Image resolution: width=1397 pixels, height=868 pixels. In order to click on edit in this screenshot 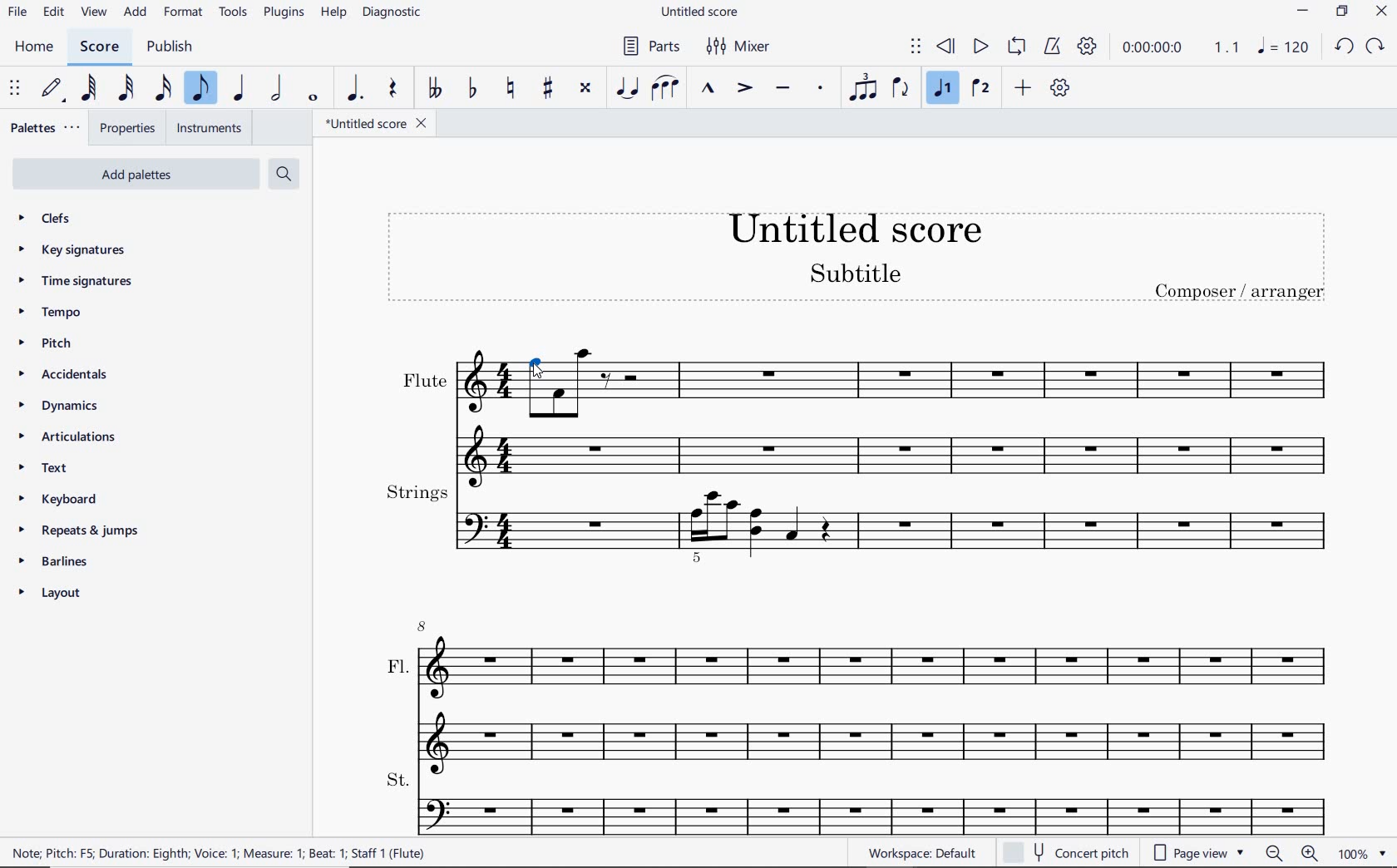, I will do `click(53, 12)`.